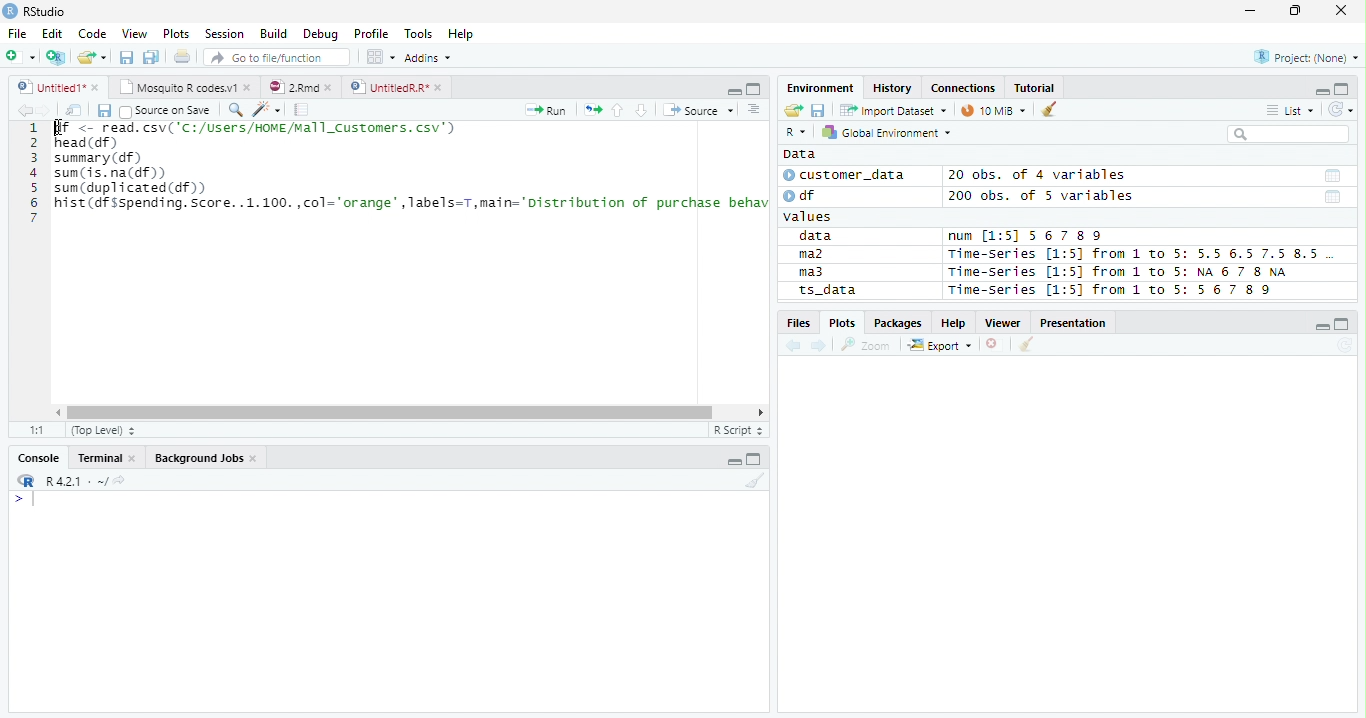 Image resolution: width=1366 pixels, height=718 pixels. I want to click on Plots, so click(842, 322).